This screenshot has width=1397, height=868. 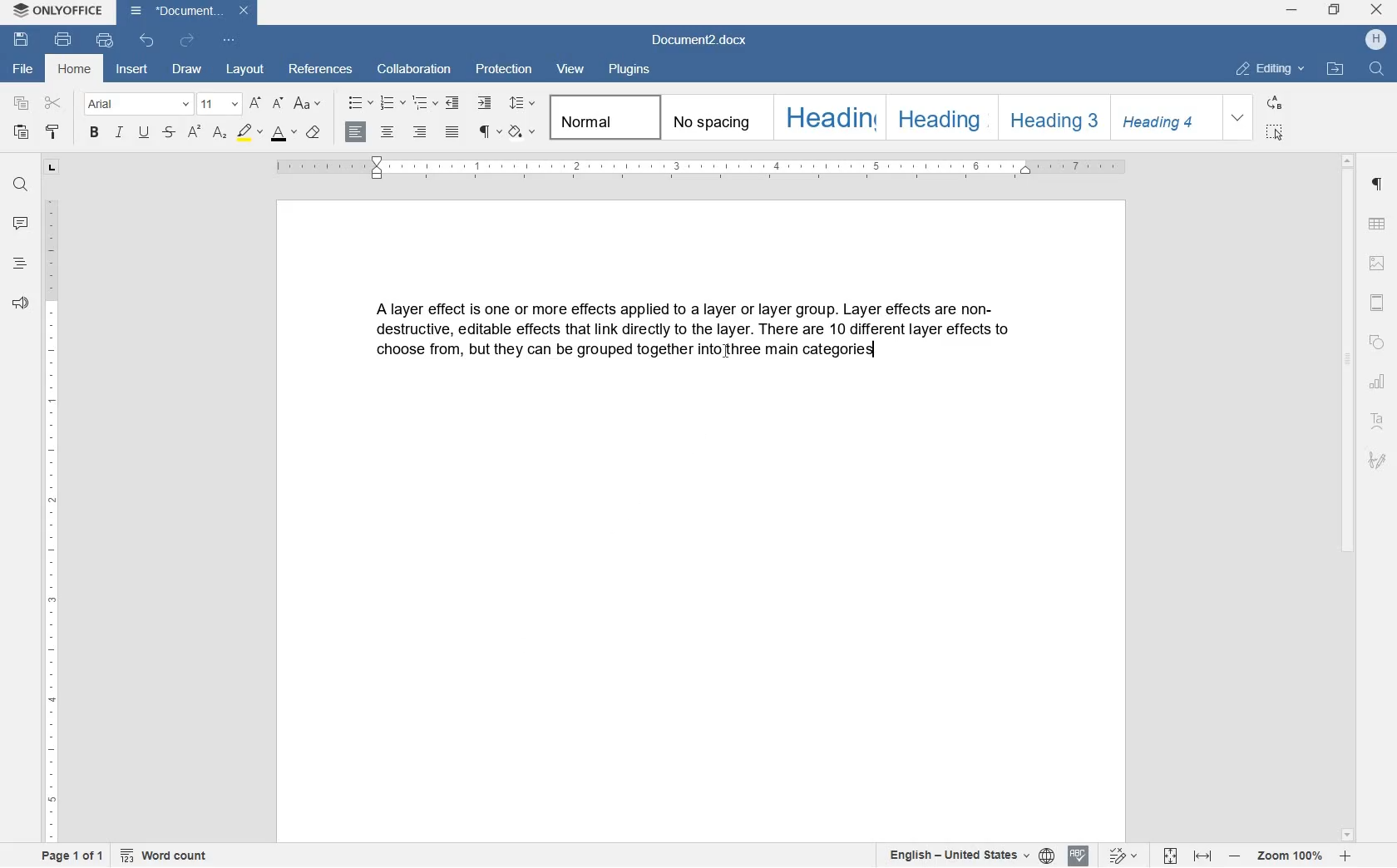 I want to click on ruler, so click(x=52, y=520).